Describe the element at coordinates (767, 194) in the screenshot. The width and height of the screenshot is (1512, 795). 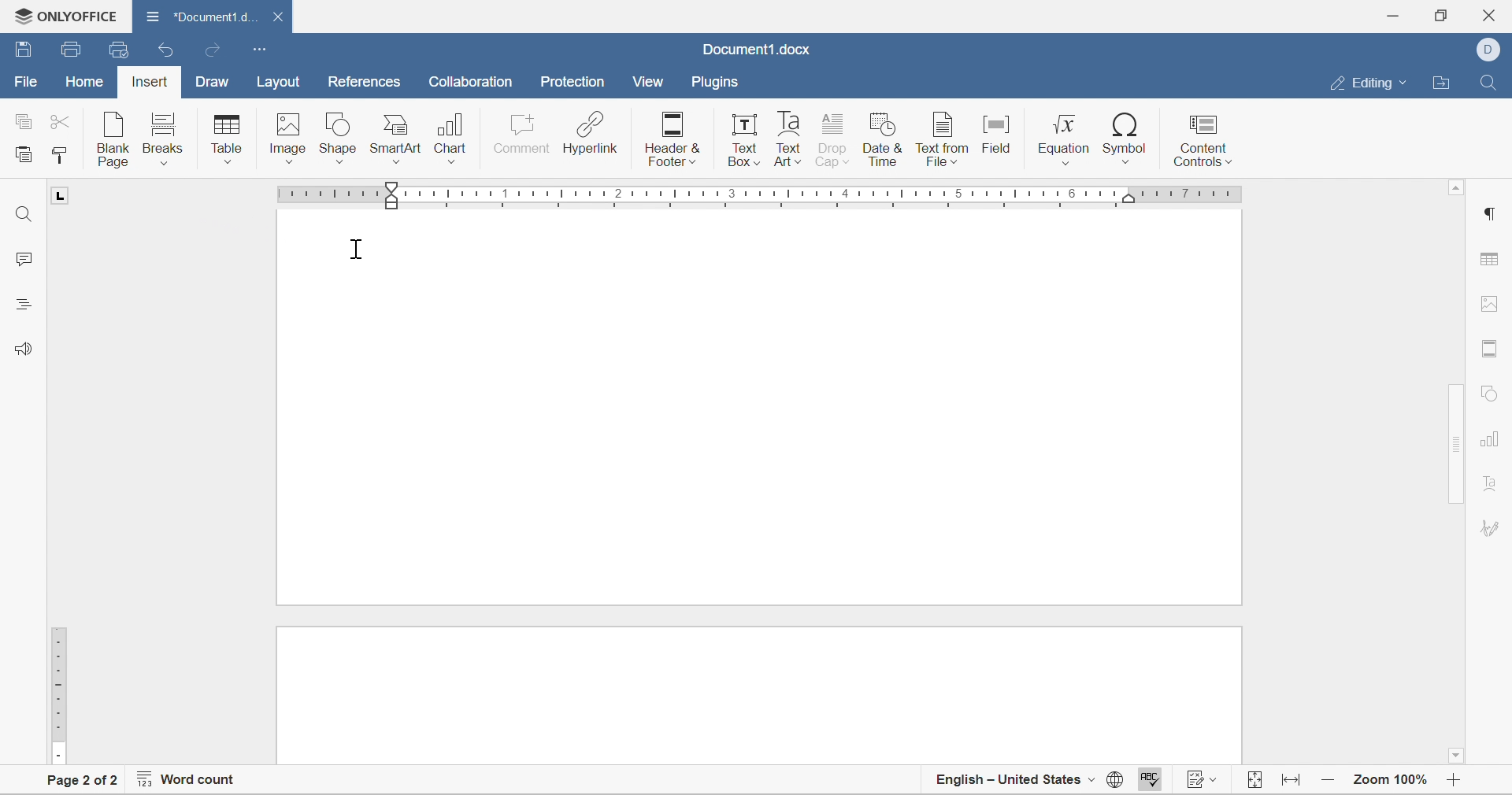
I see `Ruler` at that location.